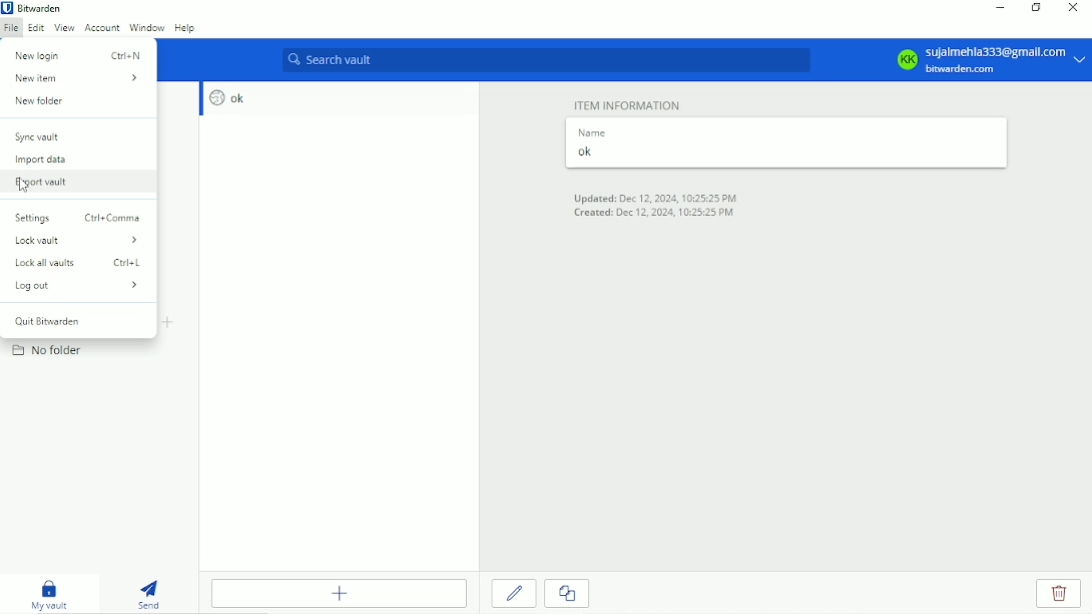  Describe the element at coordinates (988, 60) in the screenshot. I see `KK sujalmehla333@gmail.com       bitwarden.com` at that location.